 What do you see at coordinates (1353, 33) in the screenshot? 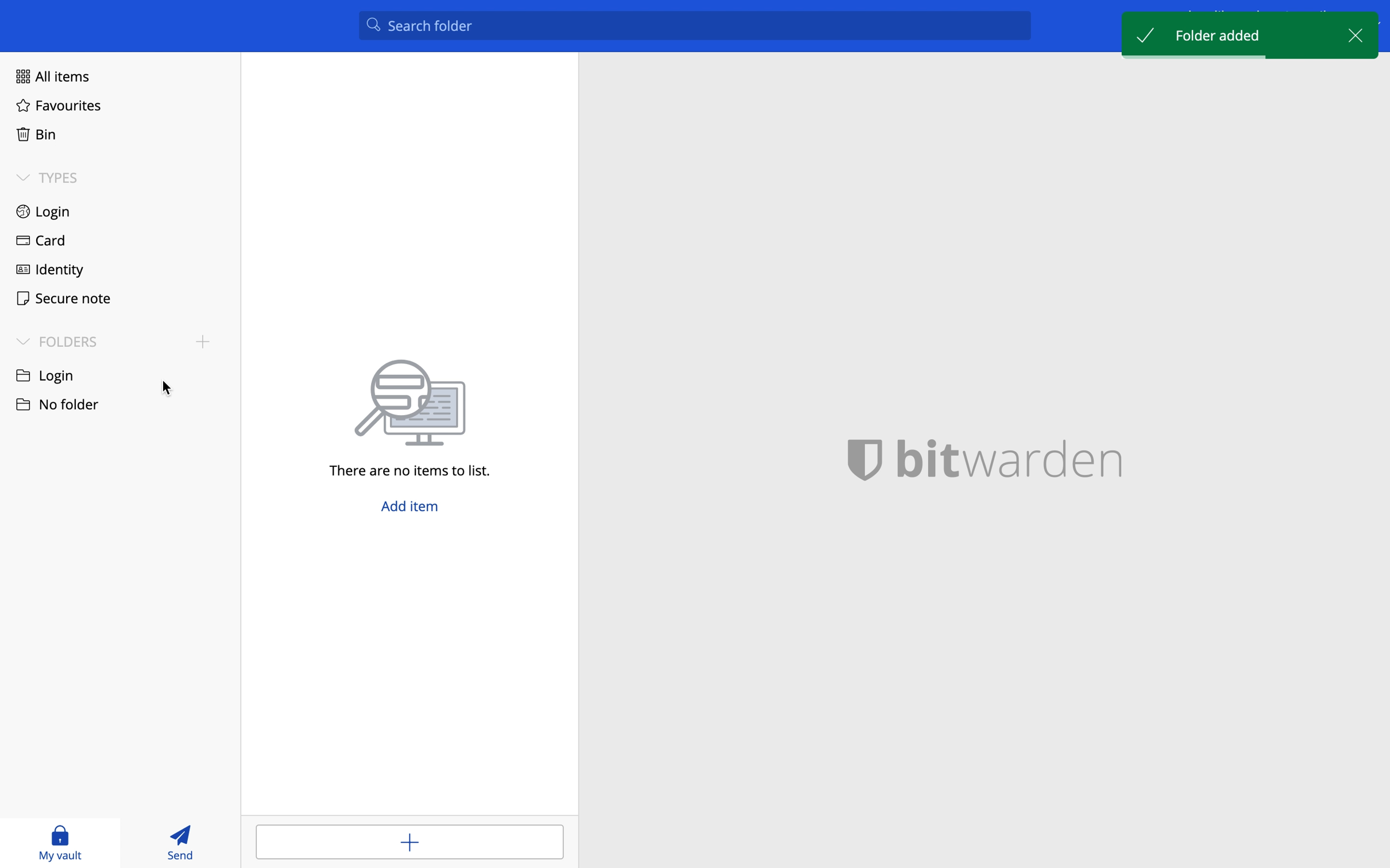
I see `Close` at bounding box center [1353, 33].